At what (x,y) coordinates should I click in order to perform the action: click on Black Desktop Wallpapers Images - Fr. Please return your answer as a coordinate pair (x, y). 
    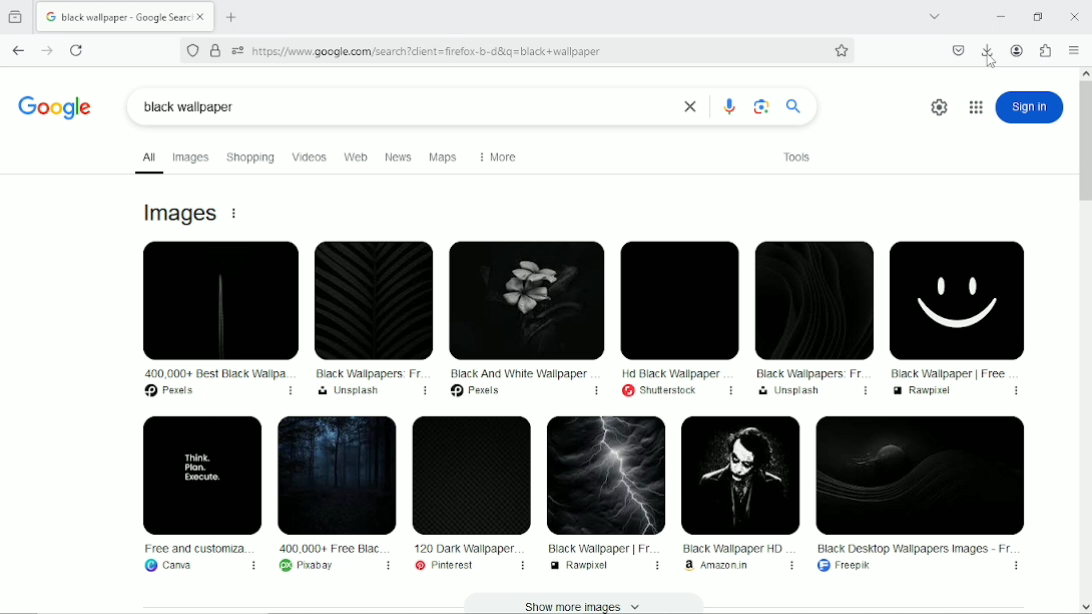
    Looking at the image, I should click on (920, 493).